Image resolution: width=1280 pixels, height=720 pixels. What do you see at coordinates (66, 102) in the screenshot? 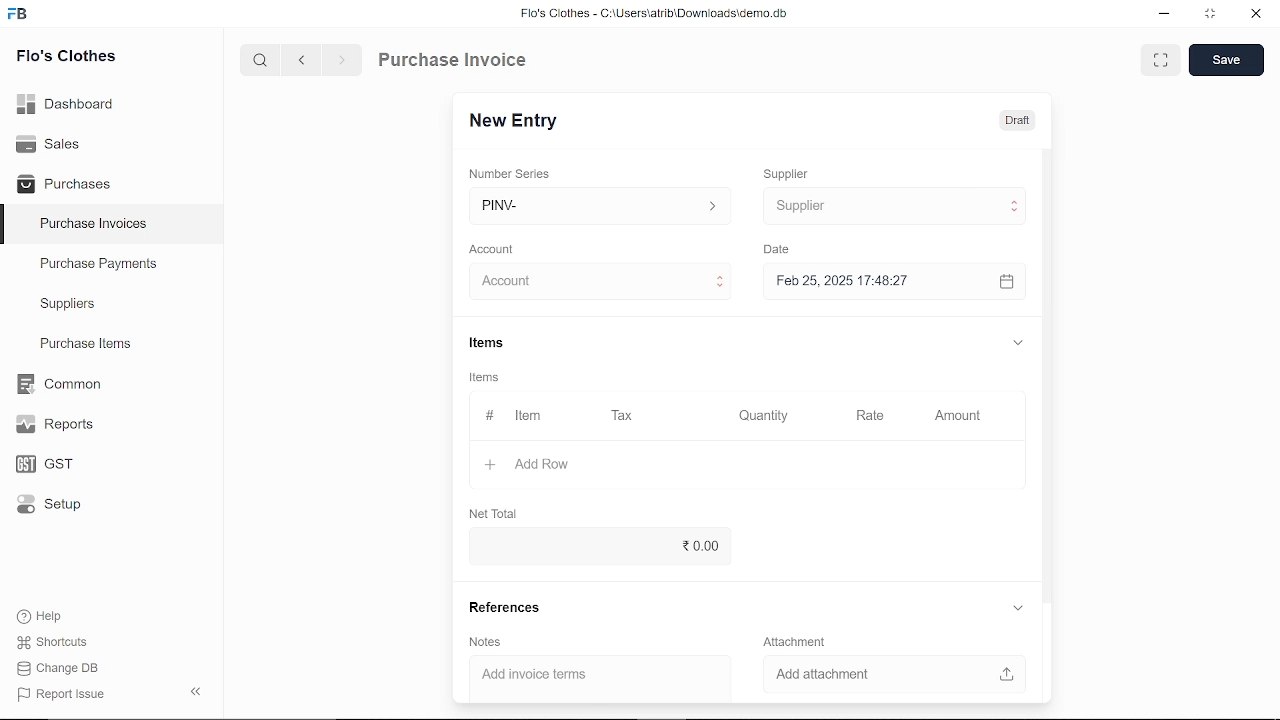
I see `Dashboard` at bounding box center [66, 102].